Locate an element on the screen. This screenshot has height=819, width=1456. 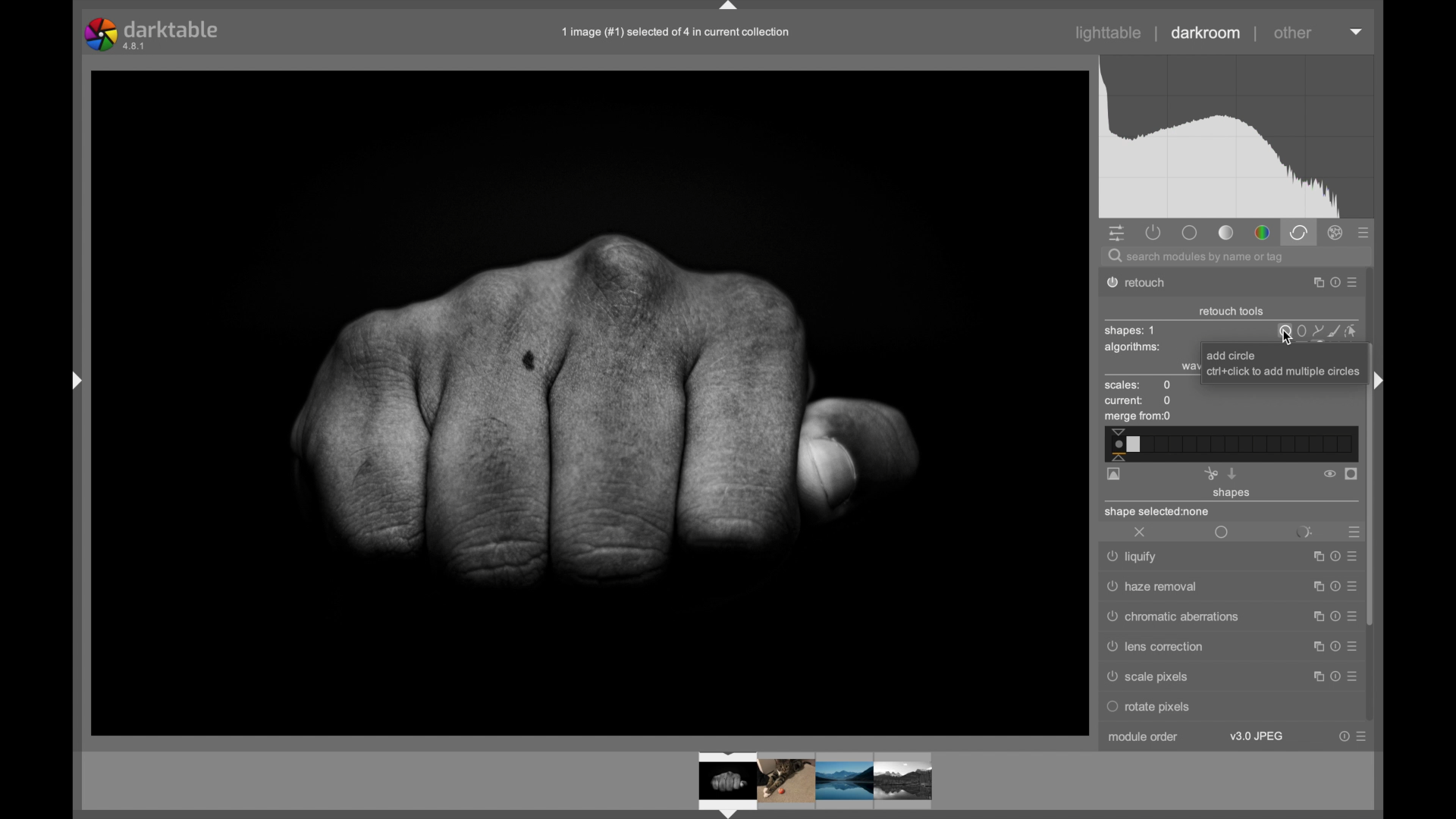
1 image (#1) selected of 4 in current collection is located at coordinates (676, 32).